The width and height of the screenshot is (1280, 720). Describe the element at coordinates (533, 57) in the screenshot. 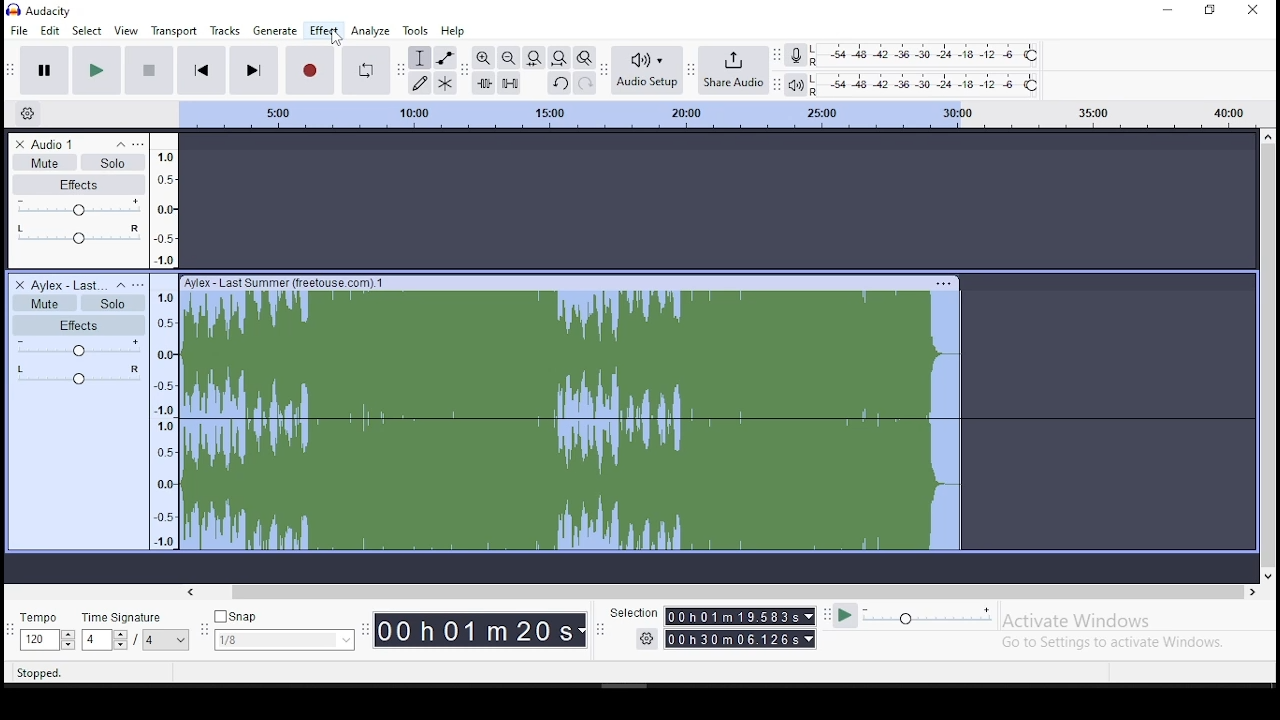

I see `fit selection to width` at that location.